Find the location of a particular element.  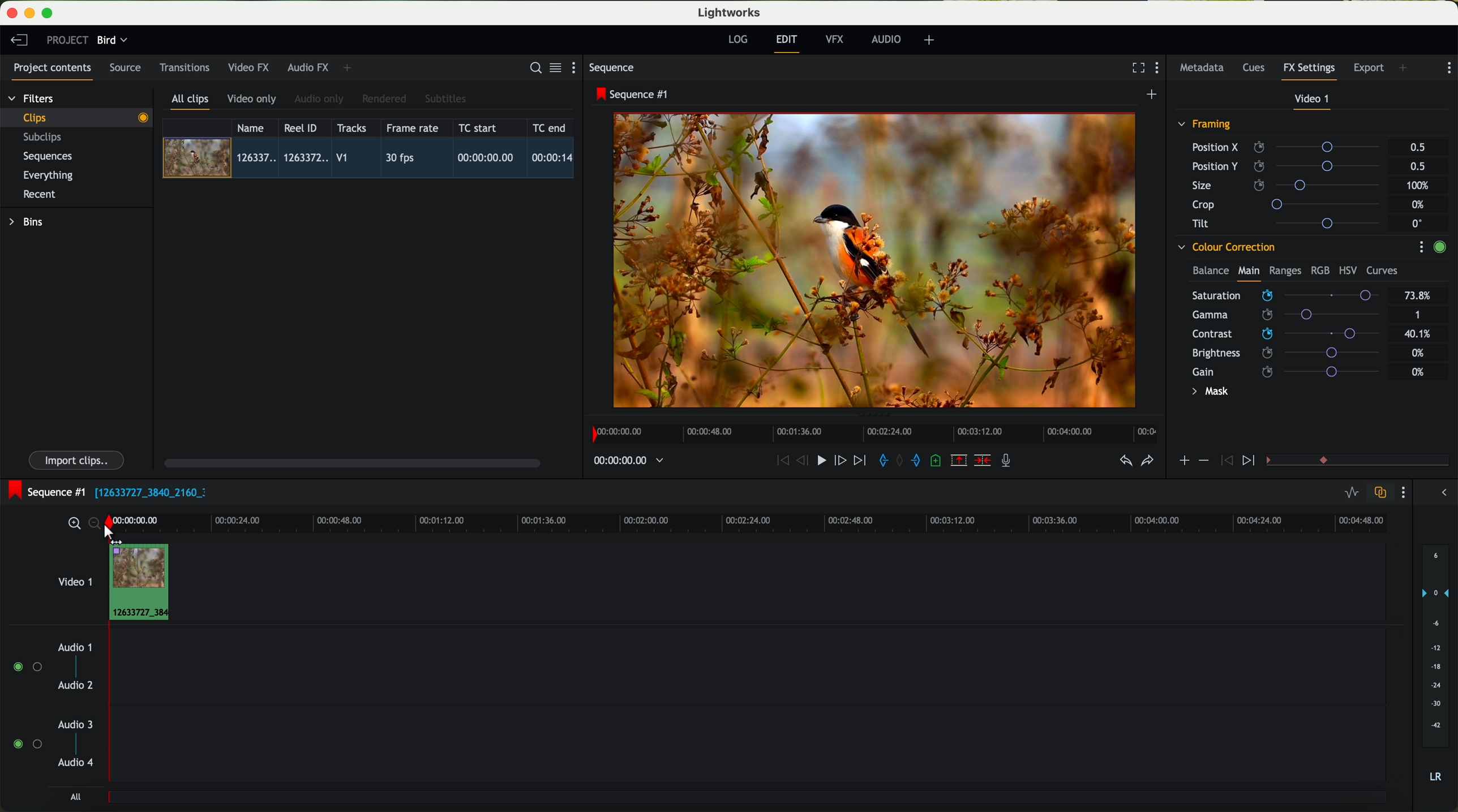

zoom in is located at coordinates (72, 524).